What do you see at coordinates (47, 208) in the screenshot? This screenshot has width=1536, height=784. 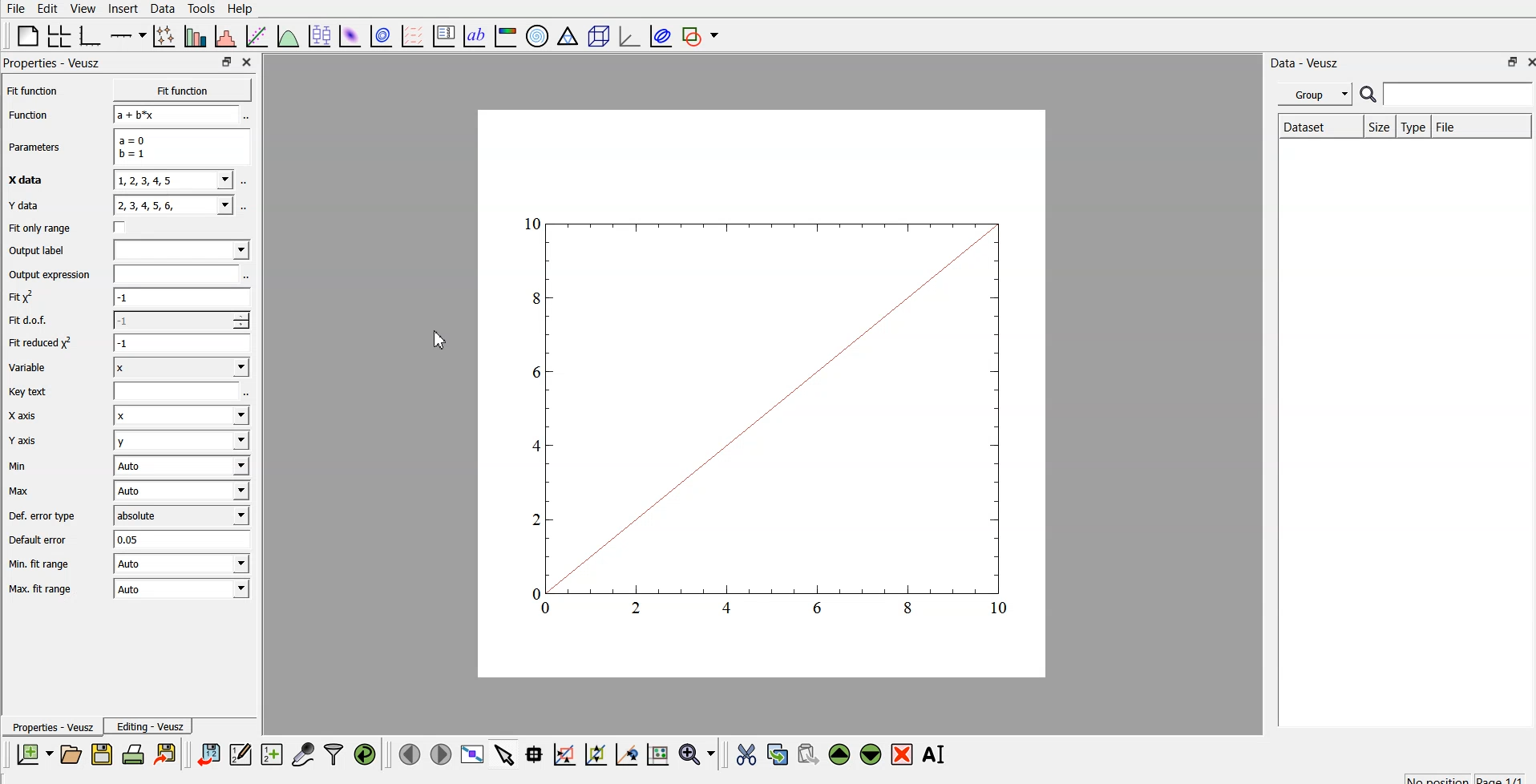 I see `Y data` at bounding box center [47, 208].